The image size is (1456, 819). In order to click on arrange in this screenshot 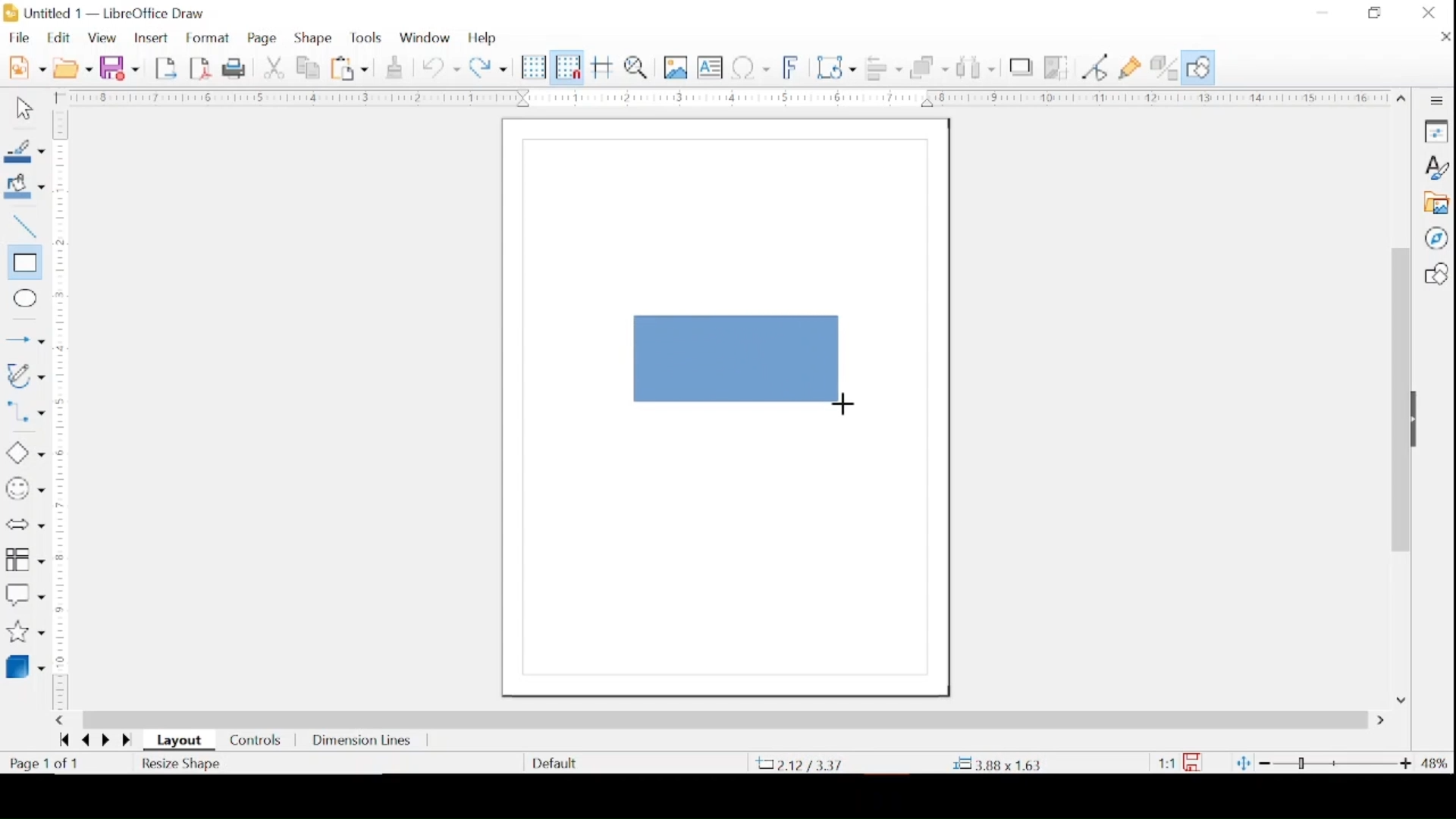, I will do `click(930, 67)`.